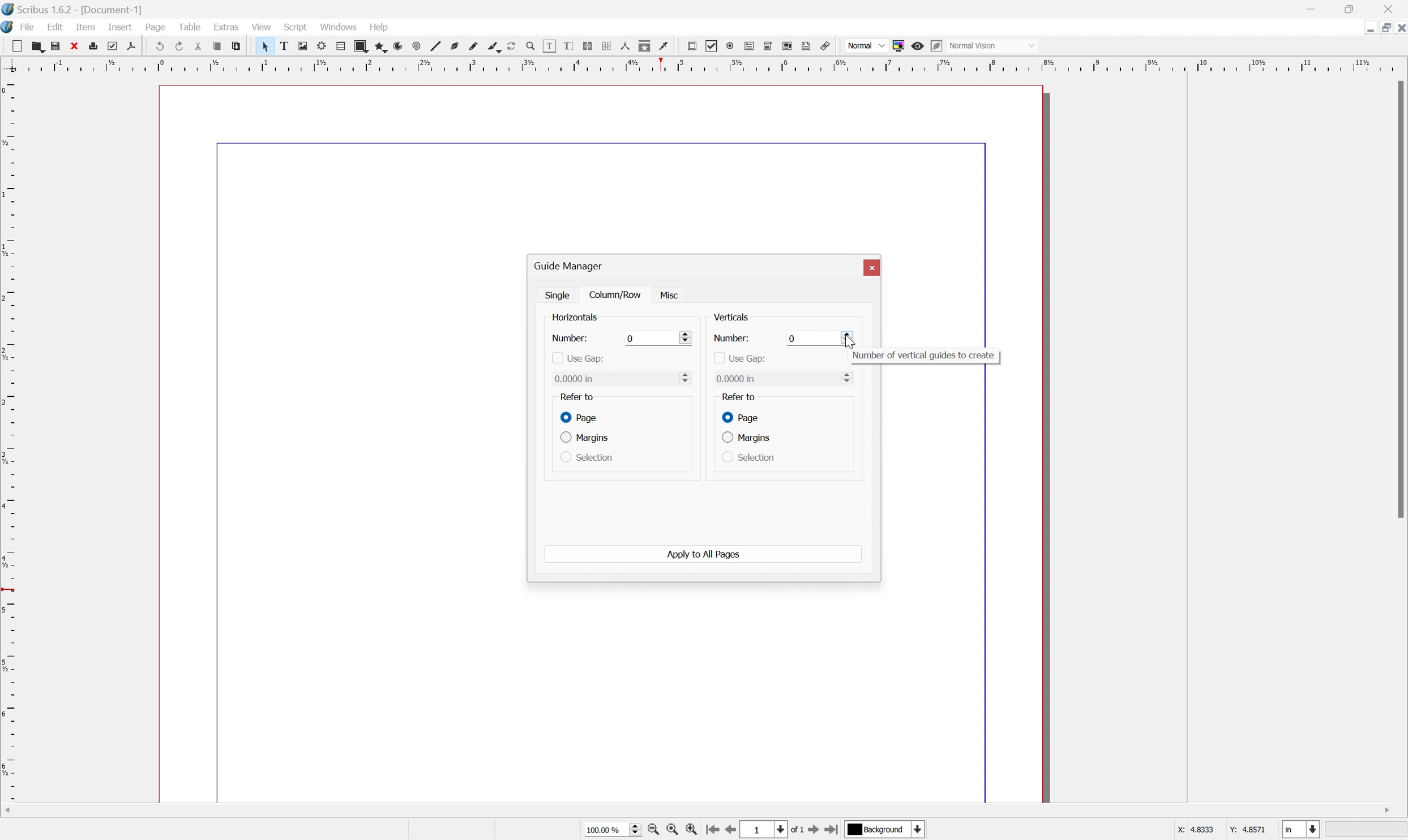 This screenshot has height=840, width=1408. What do you see at coordinates (744, 398) in the screenshot?
I see `refer to` at bounding box center [744, 398].